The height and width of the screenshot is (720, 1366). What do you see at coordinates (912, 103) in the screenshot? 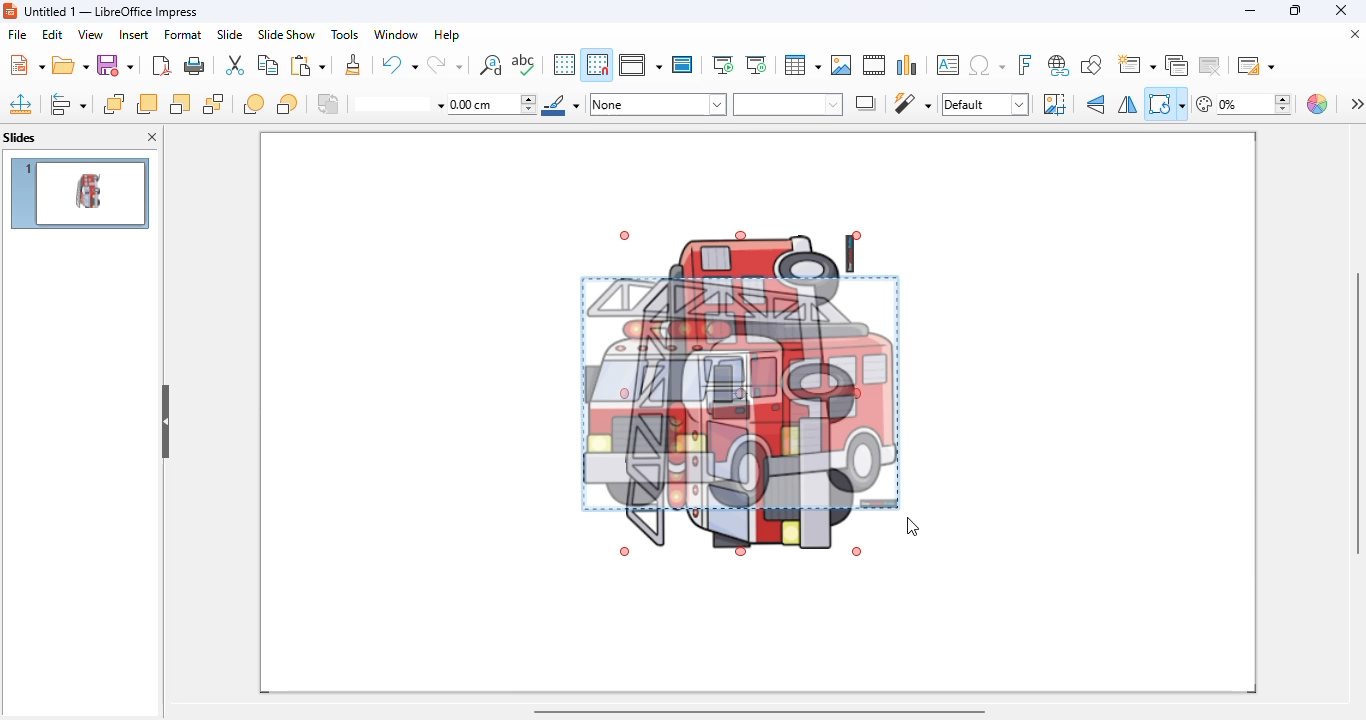
I see `filter` at bounding box center [912, 103].